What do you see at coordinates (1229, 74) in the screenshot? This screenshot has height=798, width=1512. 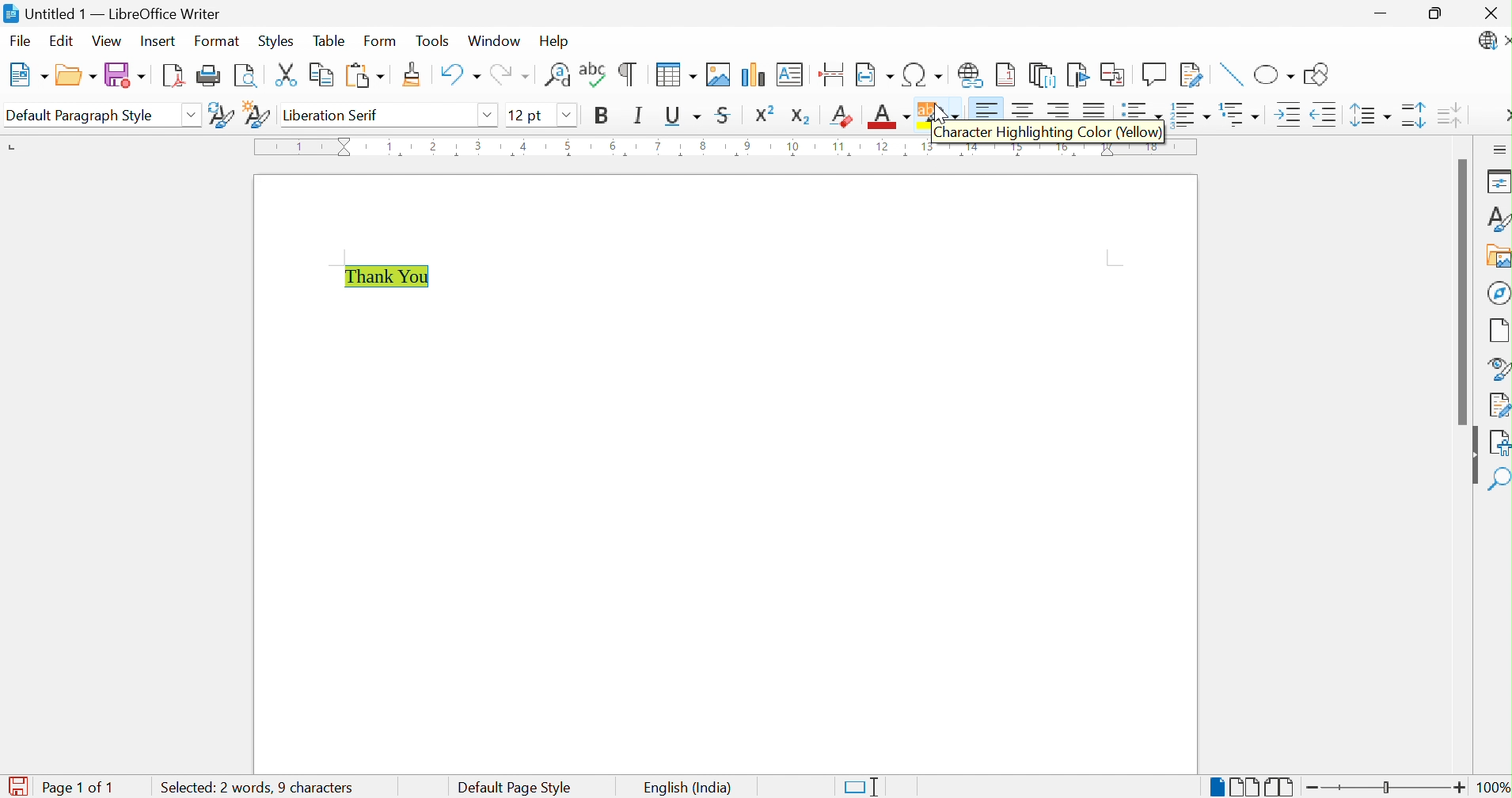 I see `Insert Line` at bounding box center [1229, 74].